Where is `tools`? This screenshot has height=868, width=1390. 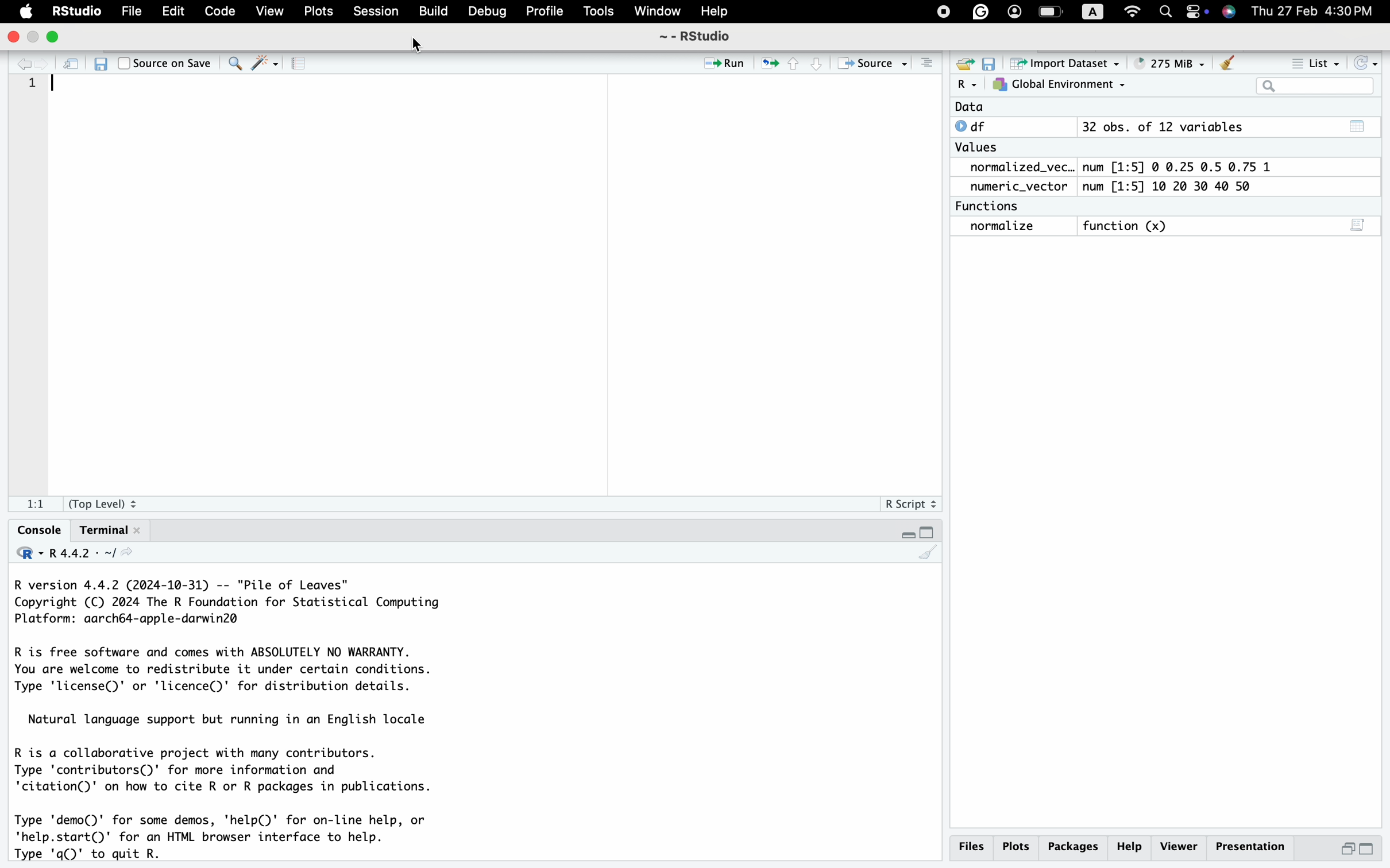
tools is located at coordinates (600, 11).